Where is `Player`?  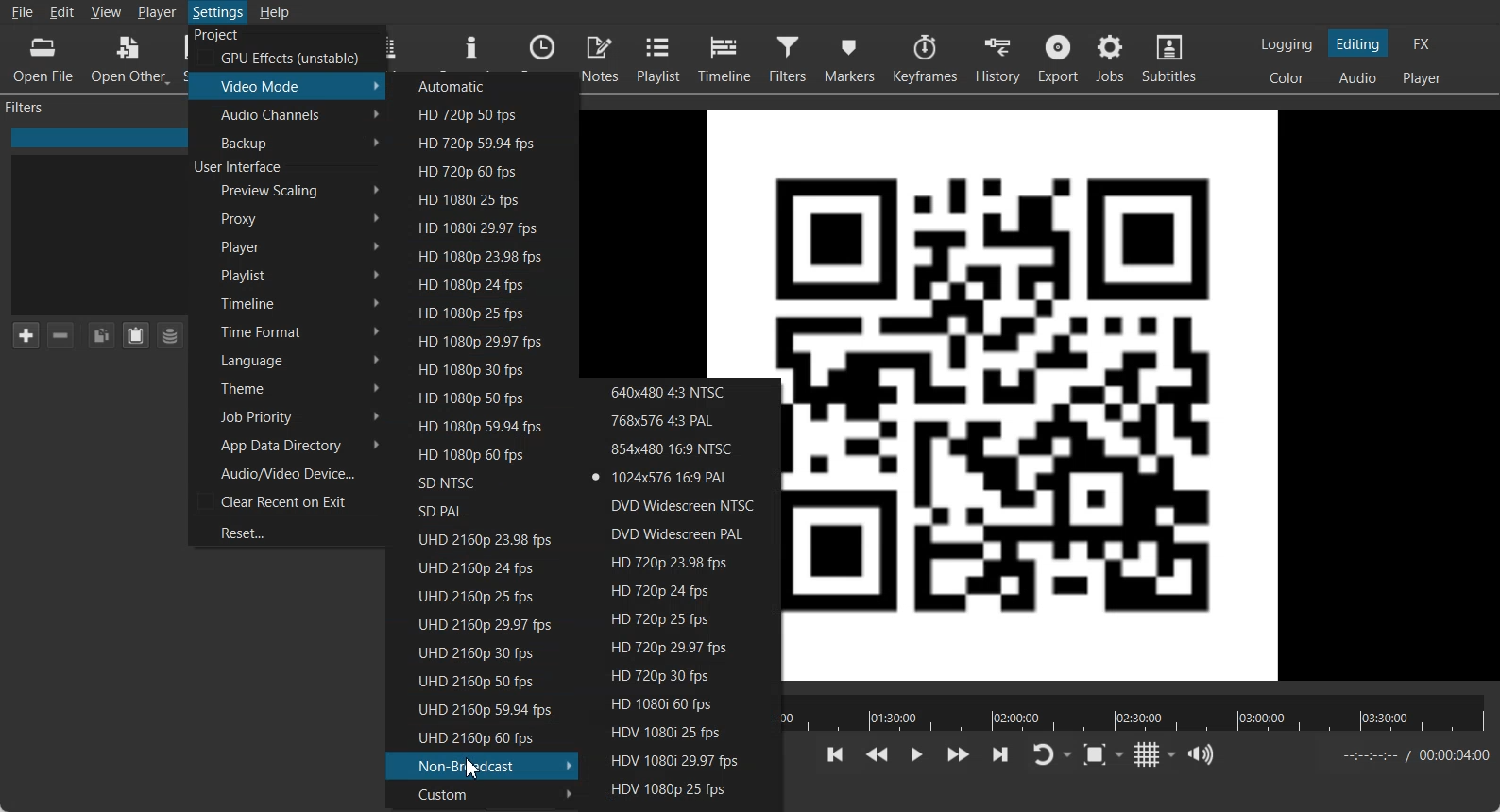 Player is located at coordinates (288, 246).